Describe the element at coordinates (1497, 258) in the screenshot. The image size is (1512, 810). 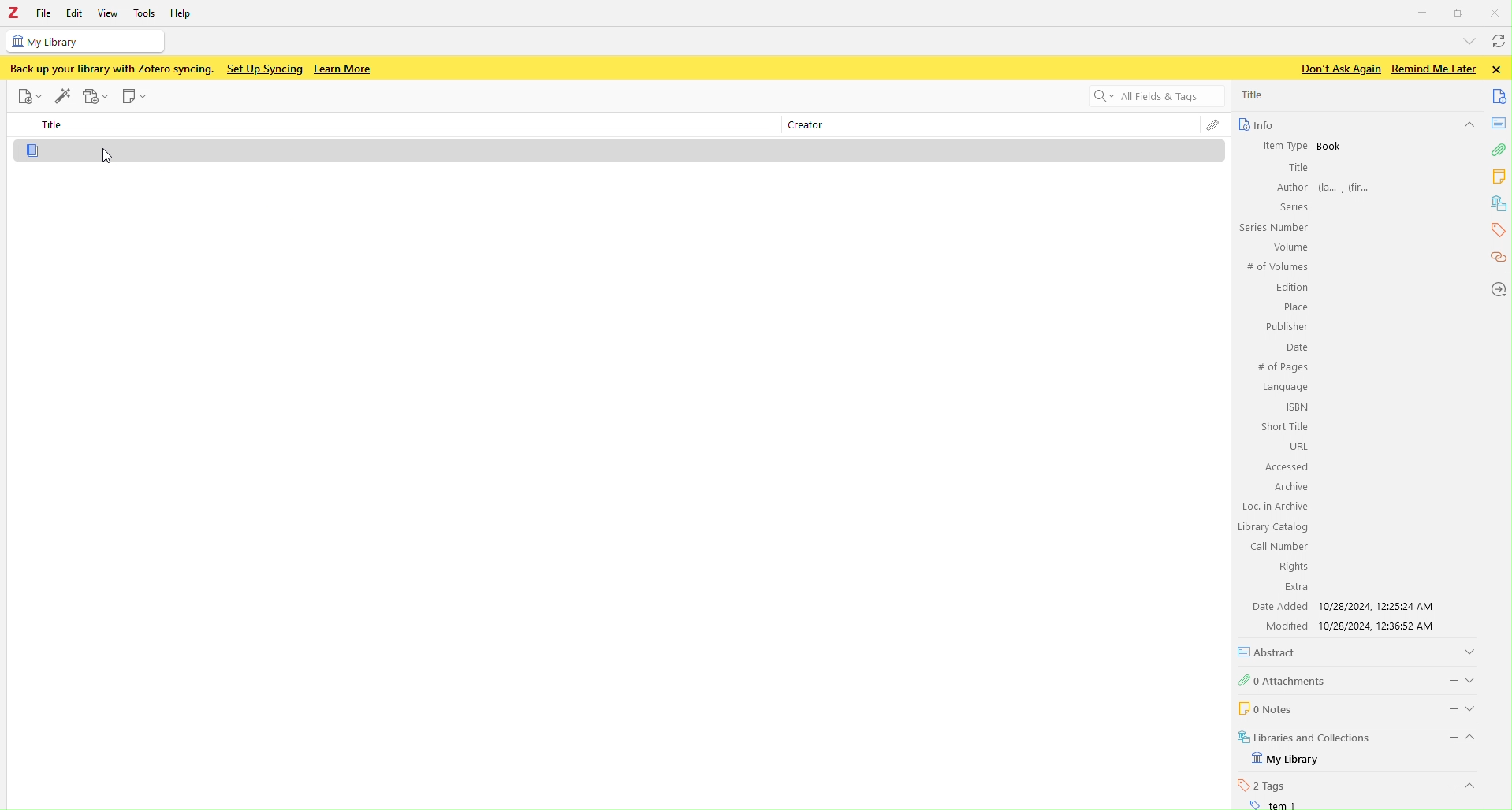
I see `citations` at that location.